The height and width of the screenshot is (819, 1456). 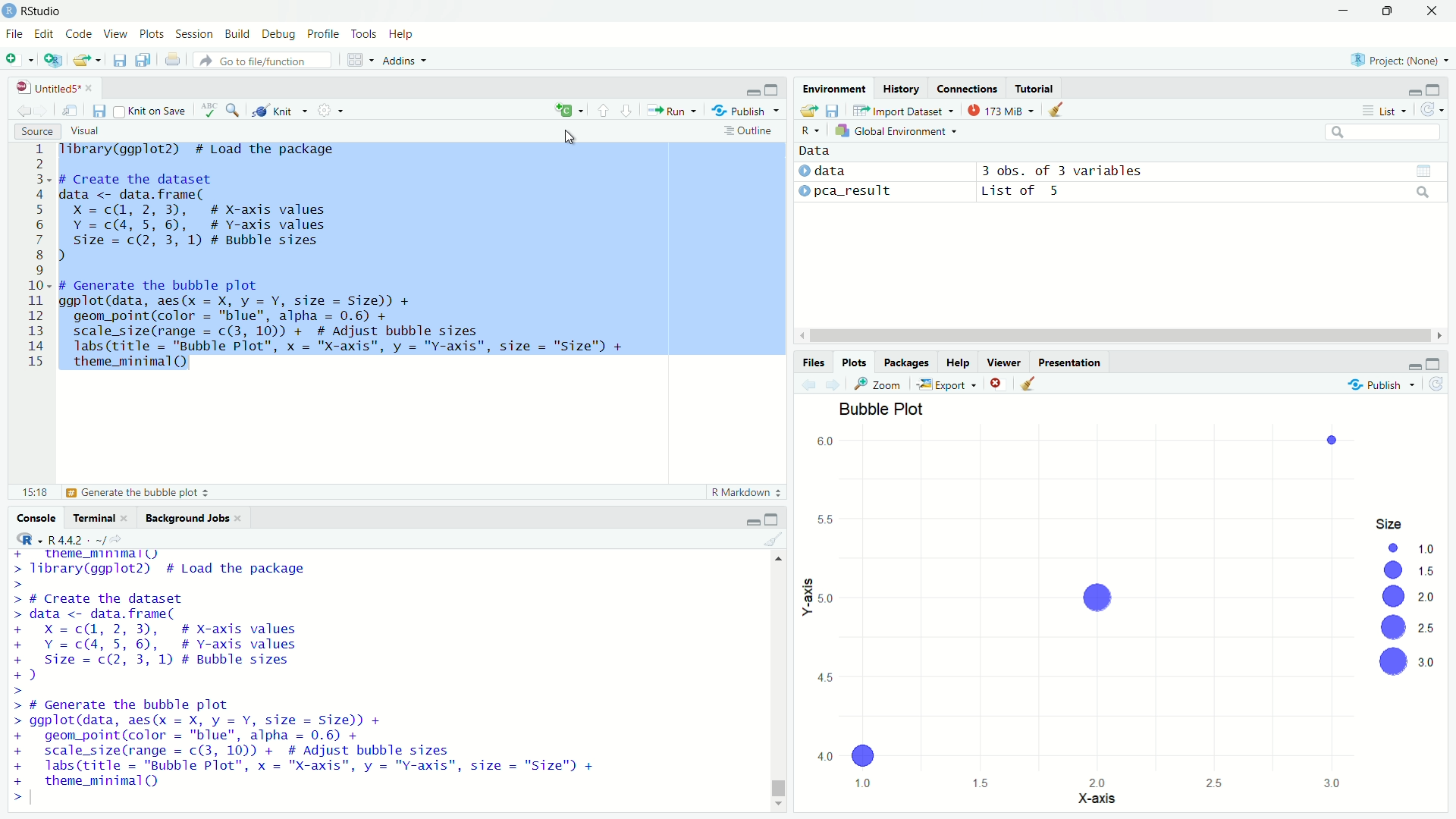 What do you see at coordinates (810, 130) in the screenshot?
I see `R language` at bounding box center [810, 130].